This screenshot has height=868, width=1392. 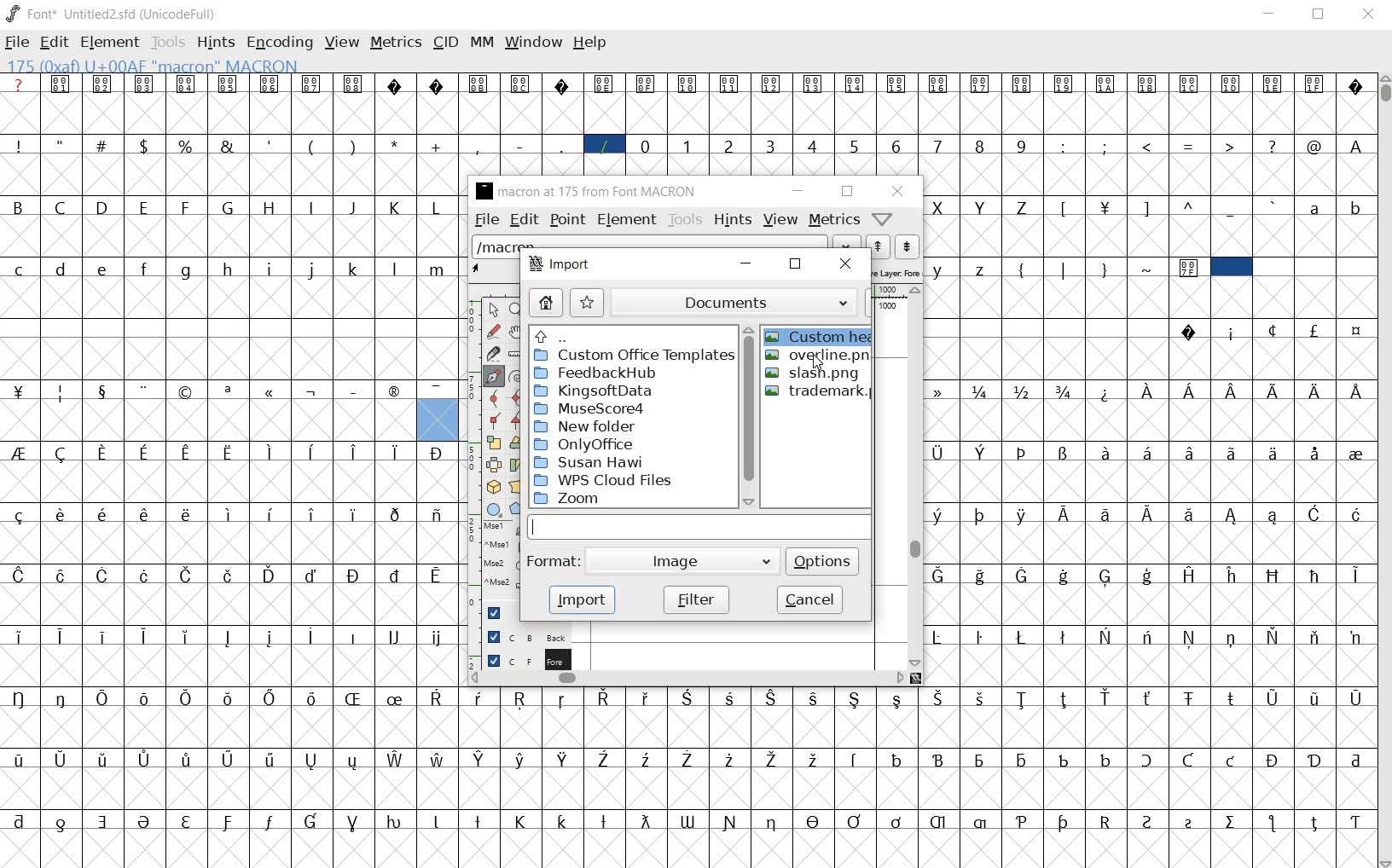 I want to click on 1000, so click(x=887, y=307).